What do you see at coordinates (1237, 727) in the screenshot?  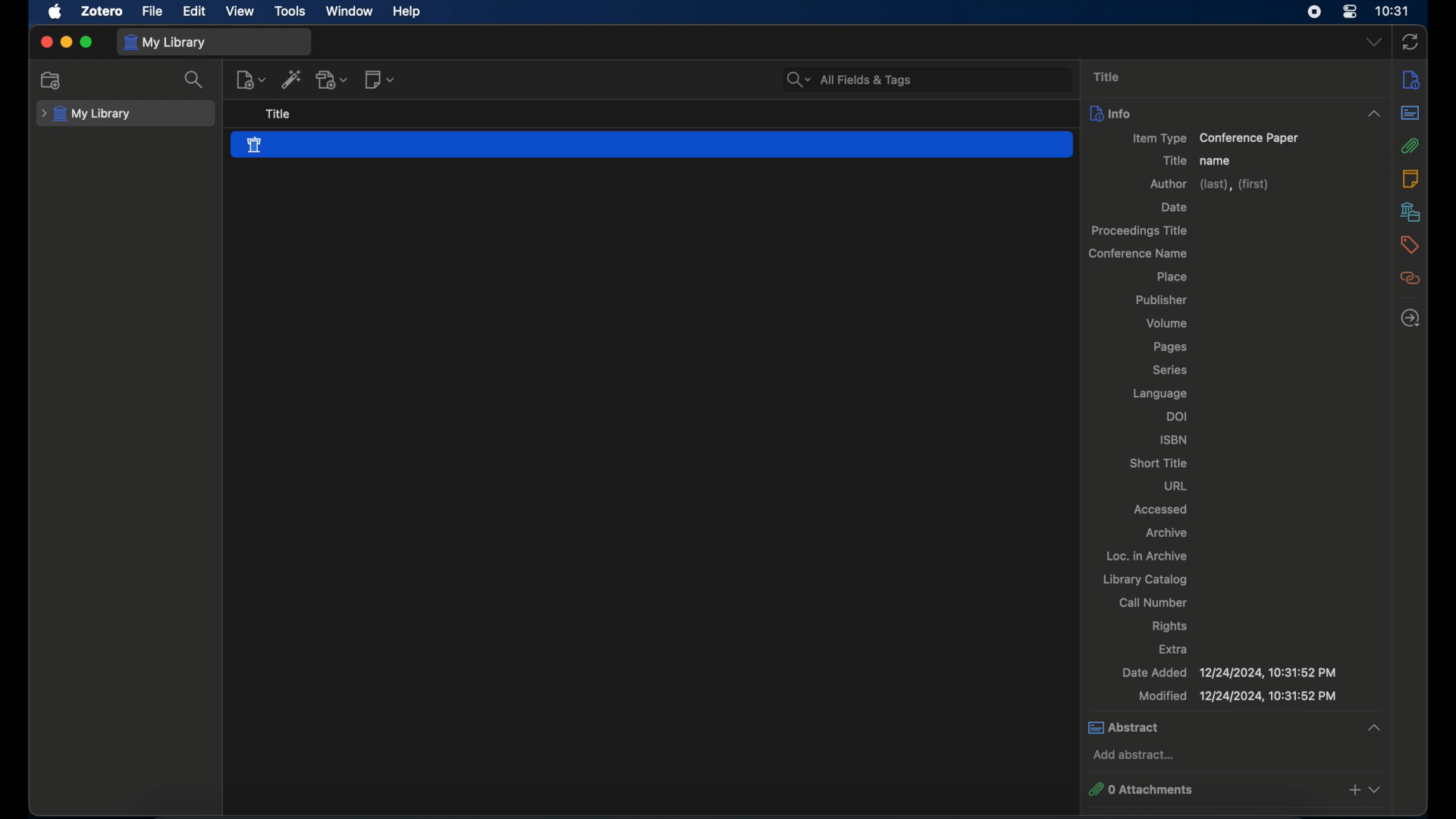 I see `abstract` at bounding box center [1237, 727].